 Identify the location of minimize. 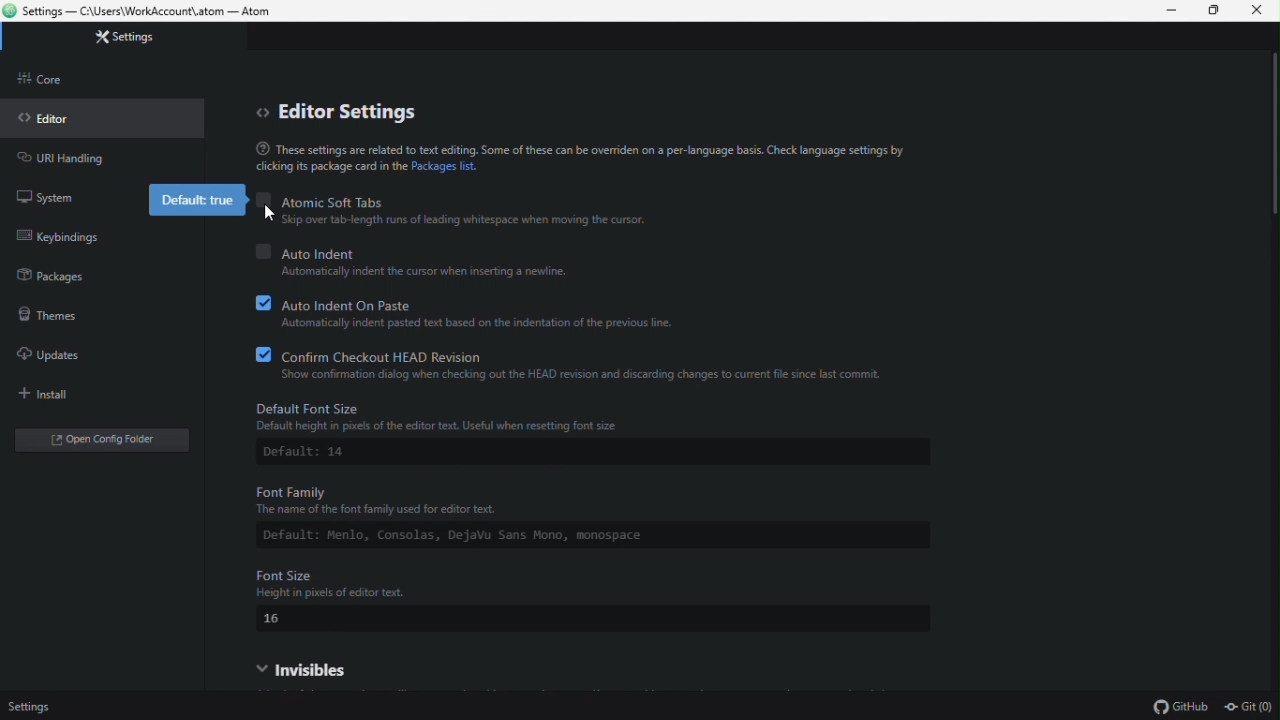
(1166, 11).